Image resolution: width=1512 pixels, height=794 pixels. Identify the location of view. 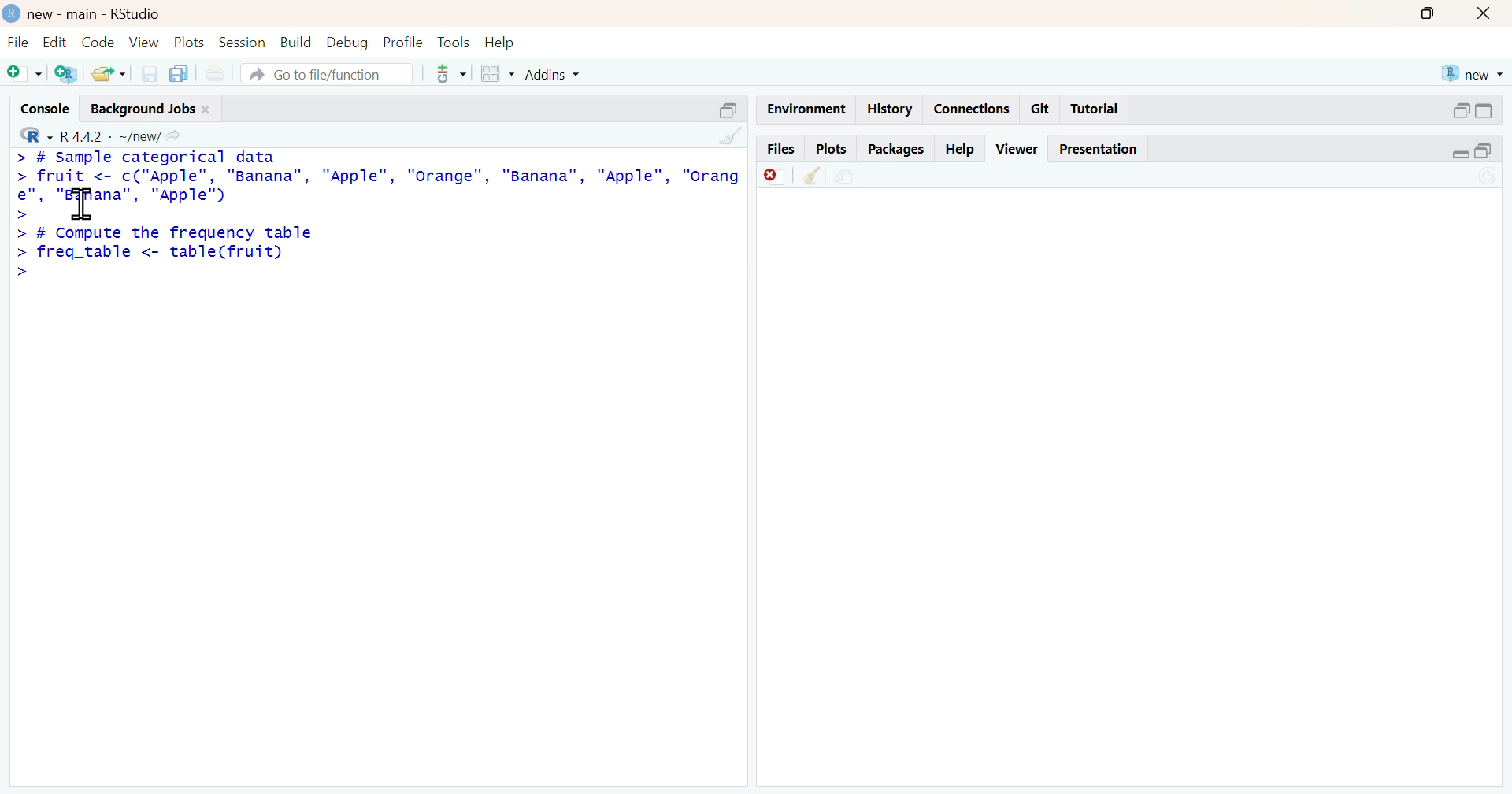
(145, 43).